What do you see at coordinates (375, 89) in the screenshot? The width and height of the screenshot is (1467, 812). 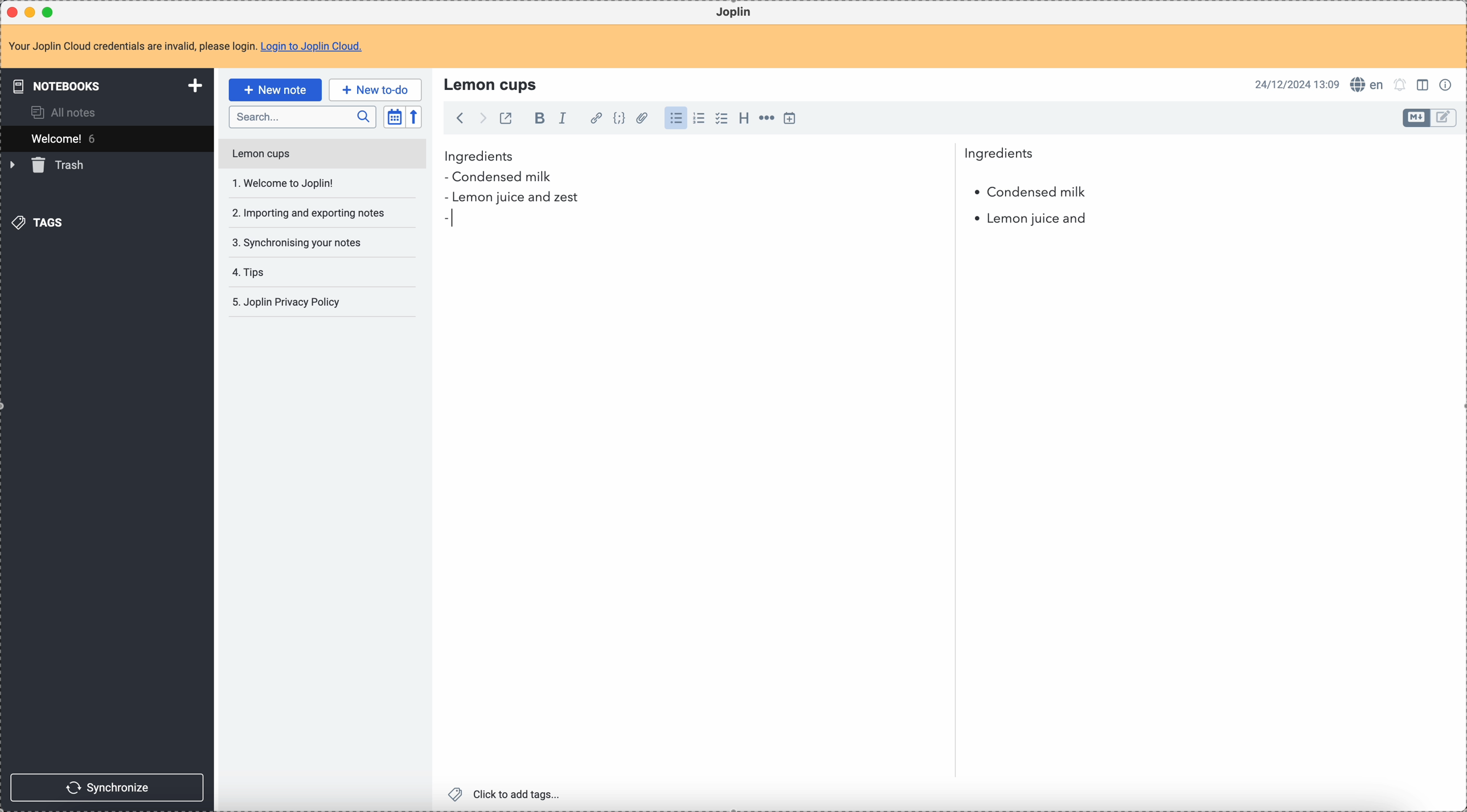 I see `new to-do` at bounding box center [375, 89].